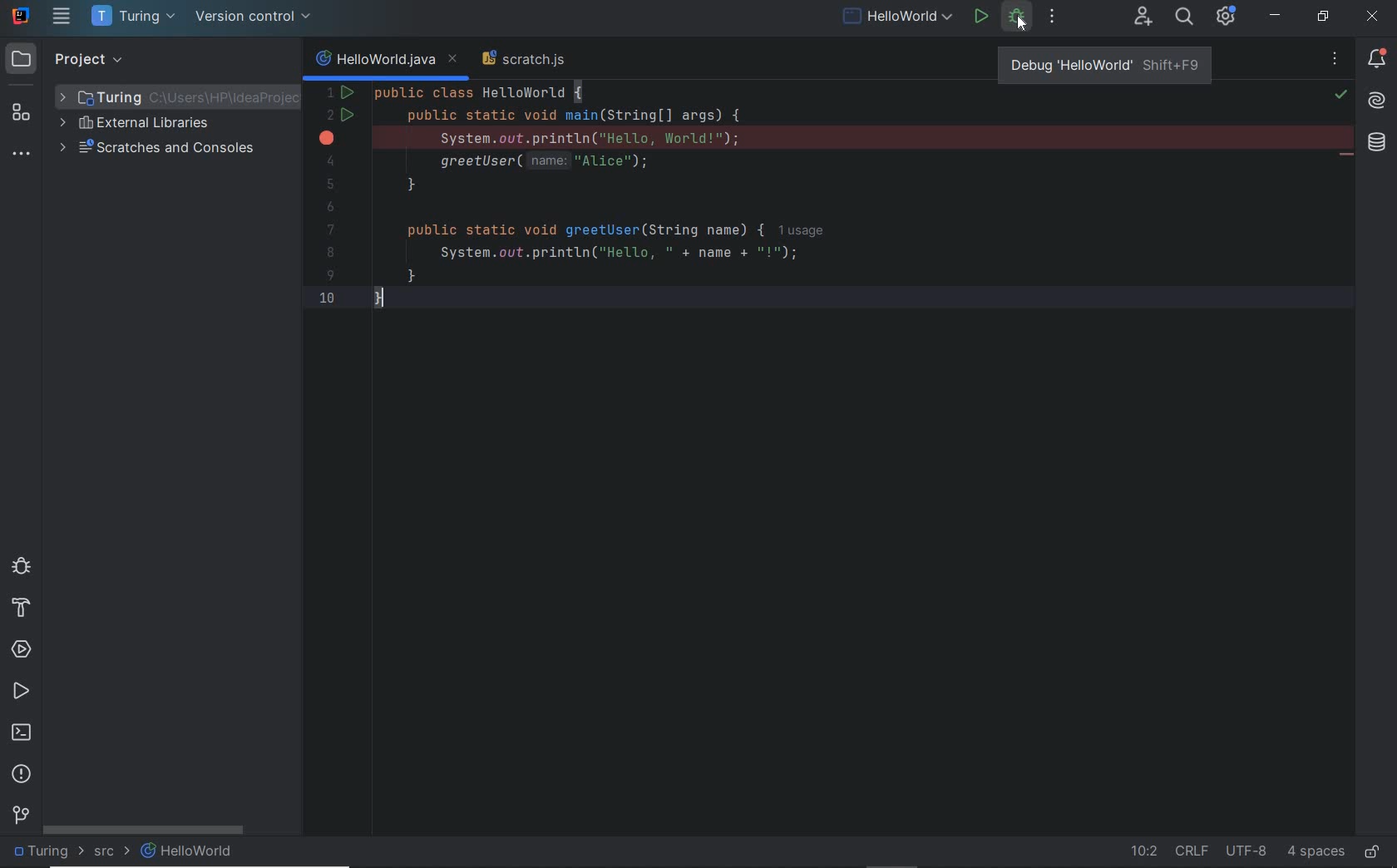 This screenshot has height=868, width=1397. Describe the element at coordinates (19, 155) in the screenshot. I see `more tool windows` at that location.